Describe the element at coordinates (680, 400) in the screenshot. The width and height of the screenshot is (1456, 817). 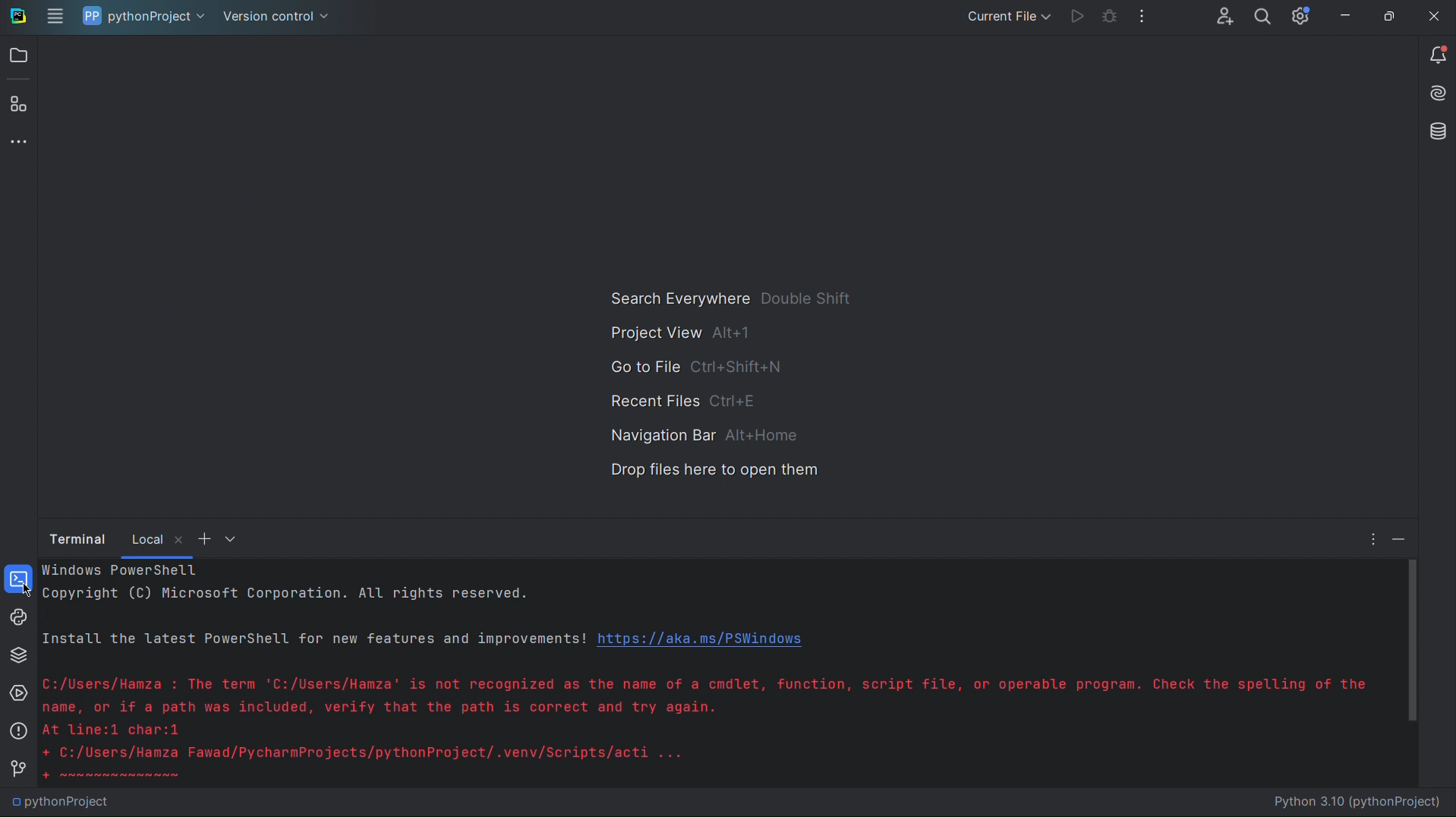
I see `Recent Files` at that location.